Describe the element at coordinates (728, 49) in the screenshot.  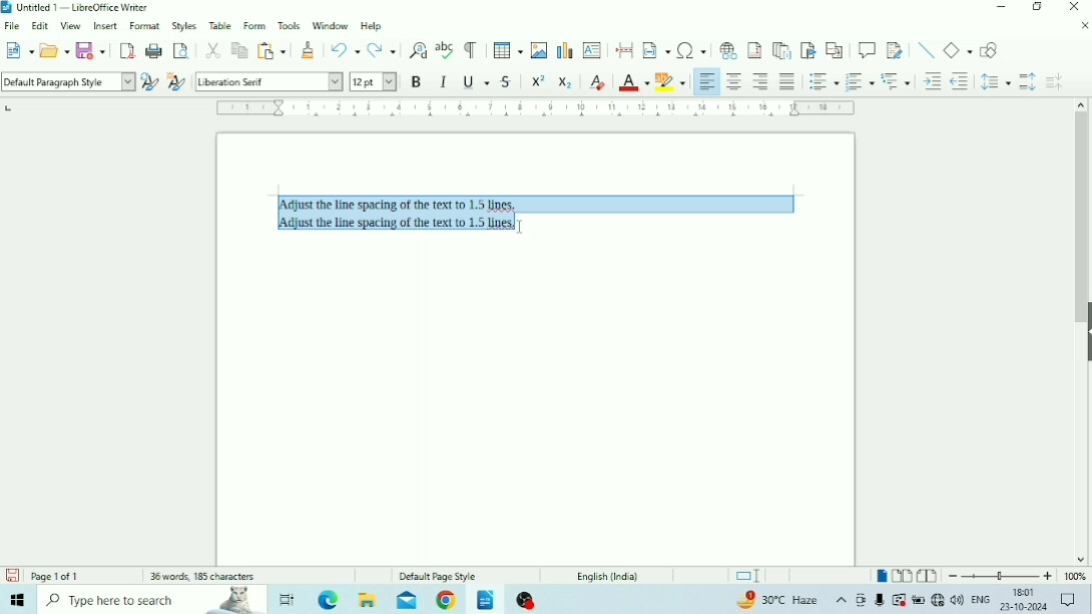
I see `Insert Hyperlink` at that location.